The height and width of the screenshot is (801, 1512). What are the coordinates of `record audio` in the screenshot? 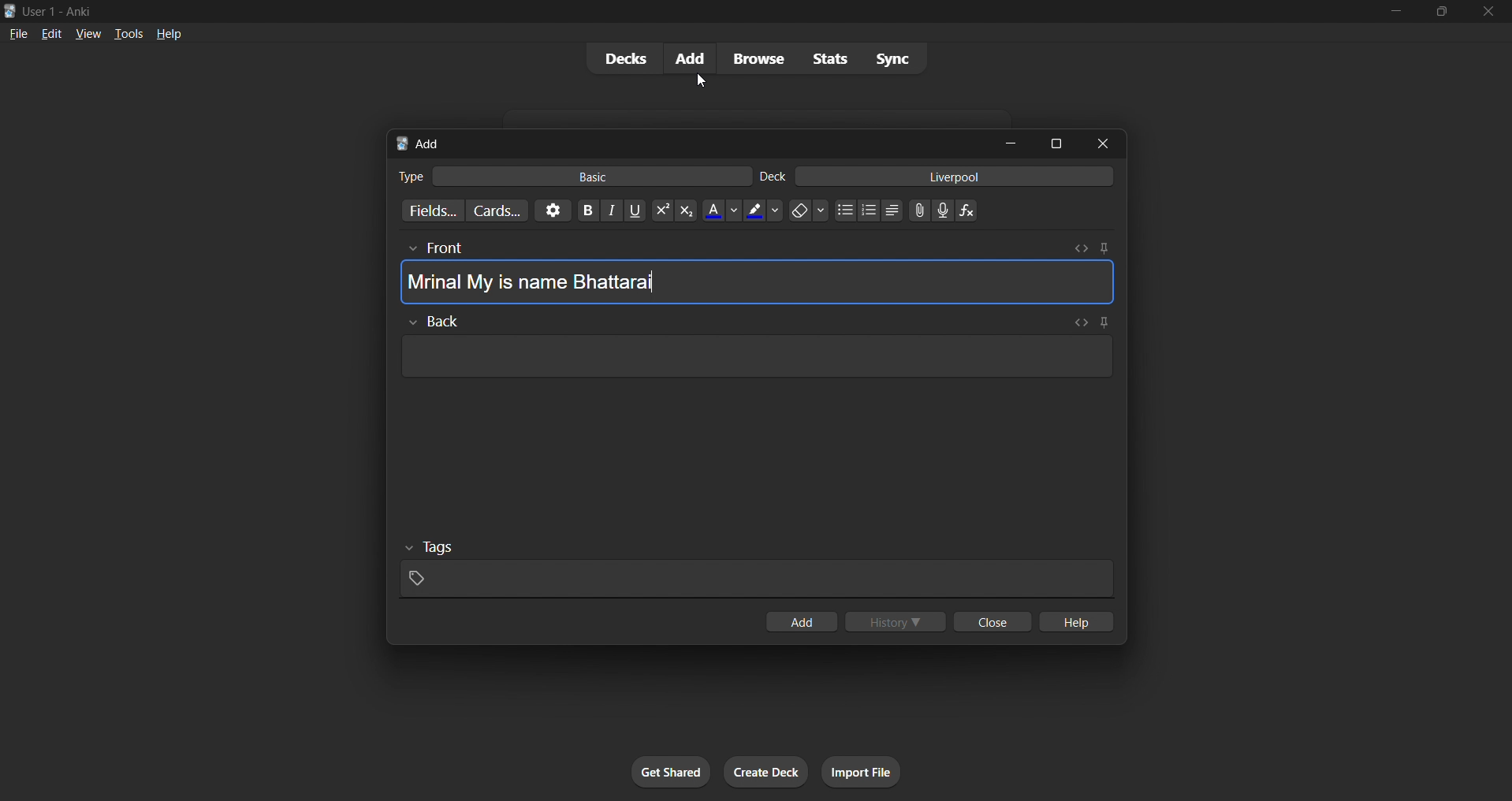 It's located at (944, 210).